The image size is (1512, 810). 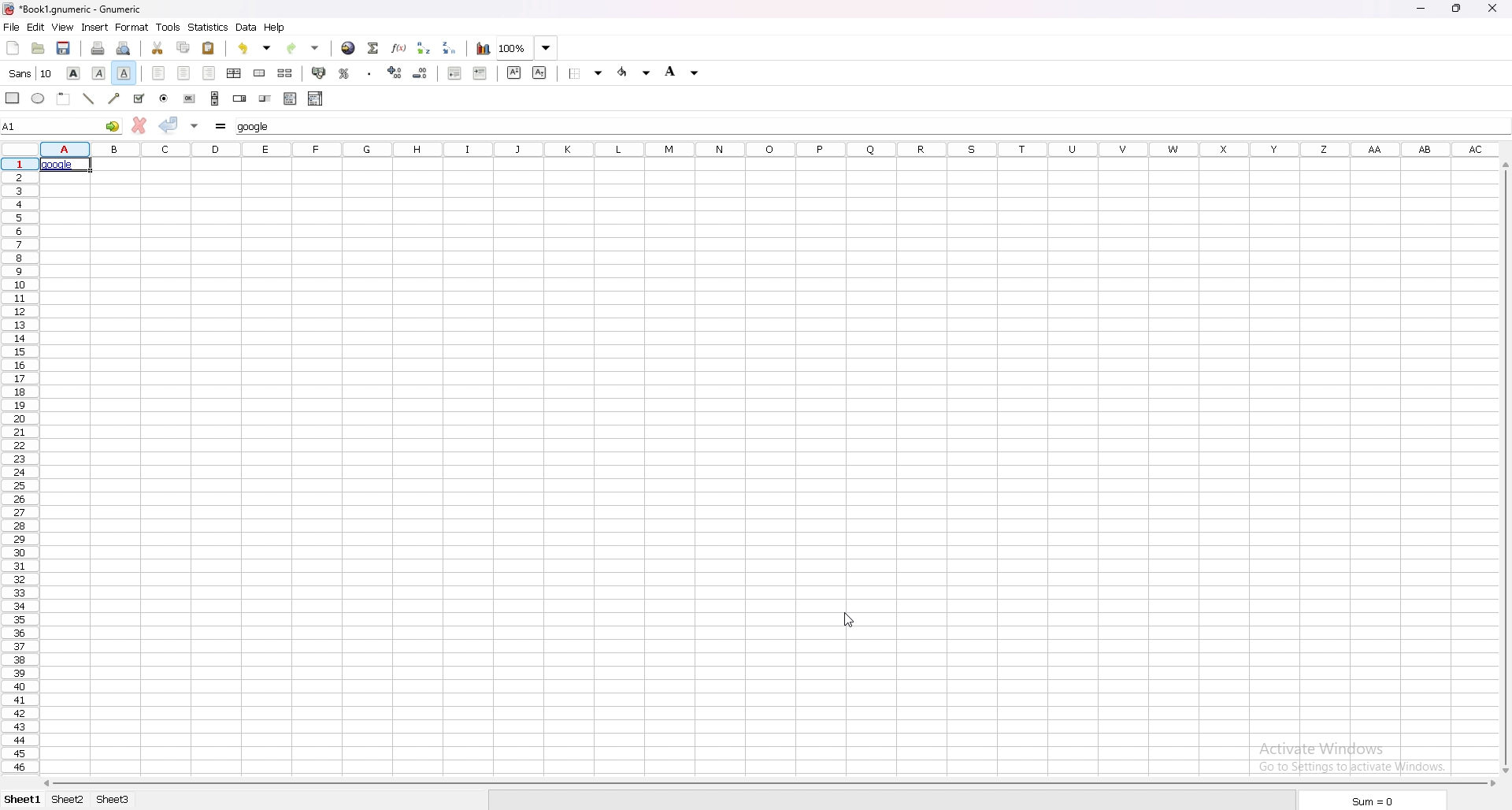 I want to click on italic, so click(x=100, y=72).